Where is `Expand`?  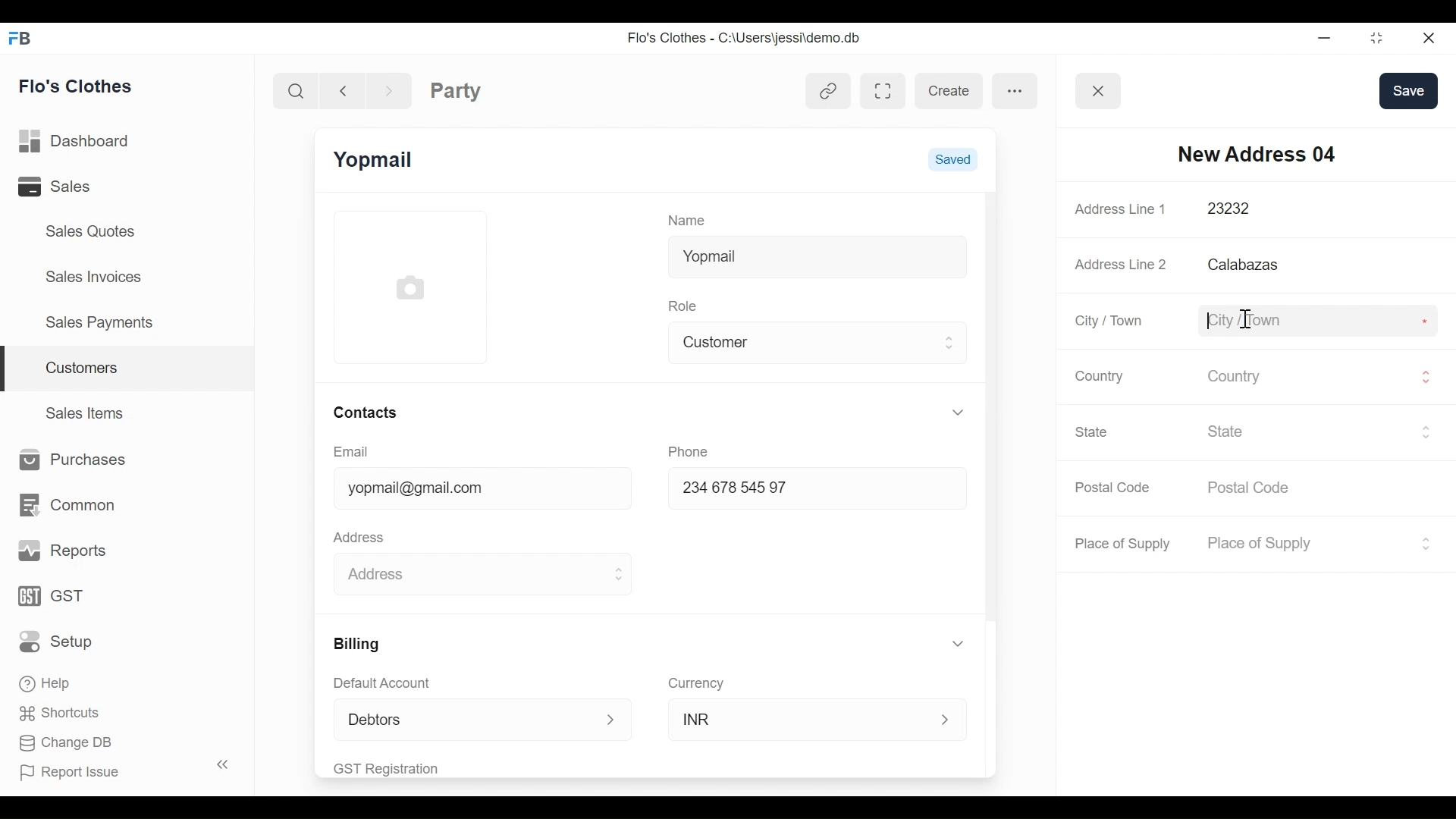
Expand is located at coordinates (951, 342).